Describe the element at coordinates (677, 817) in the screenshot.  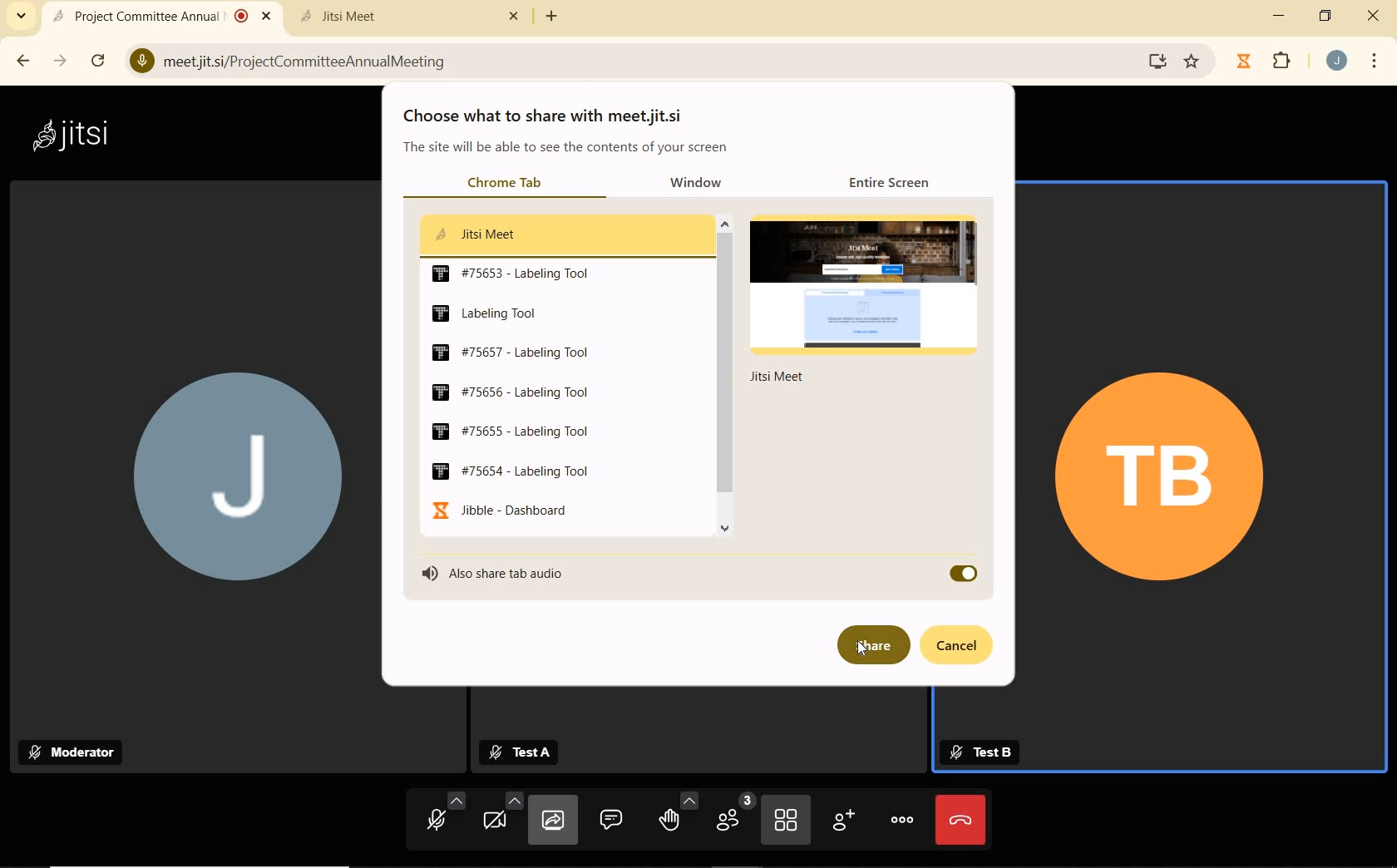
I see `RAISE YOUR HAND` at that location.